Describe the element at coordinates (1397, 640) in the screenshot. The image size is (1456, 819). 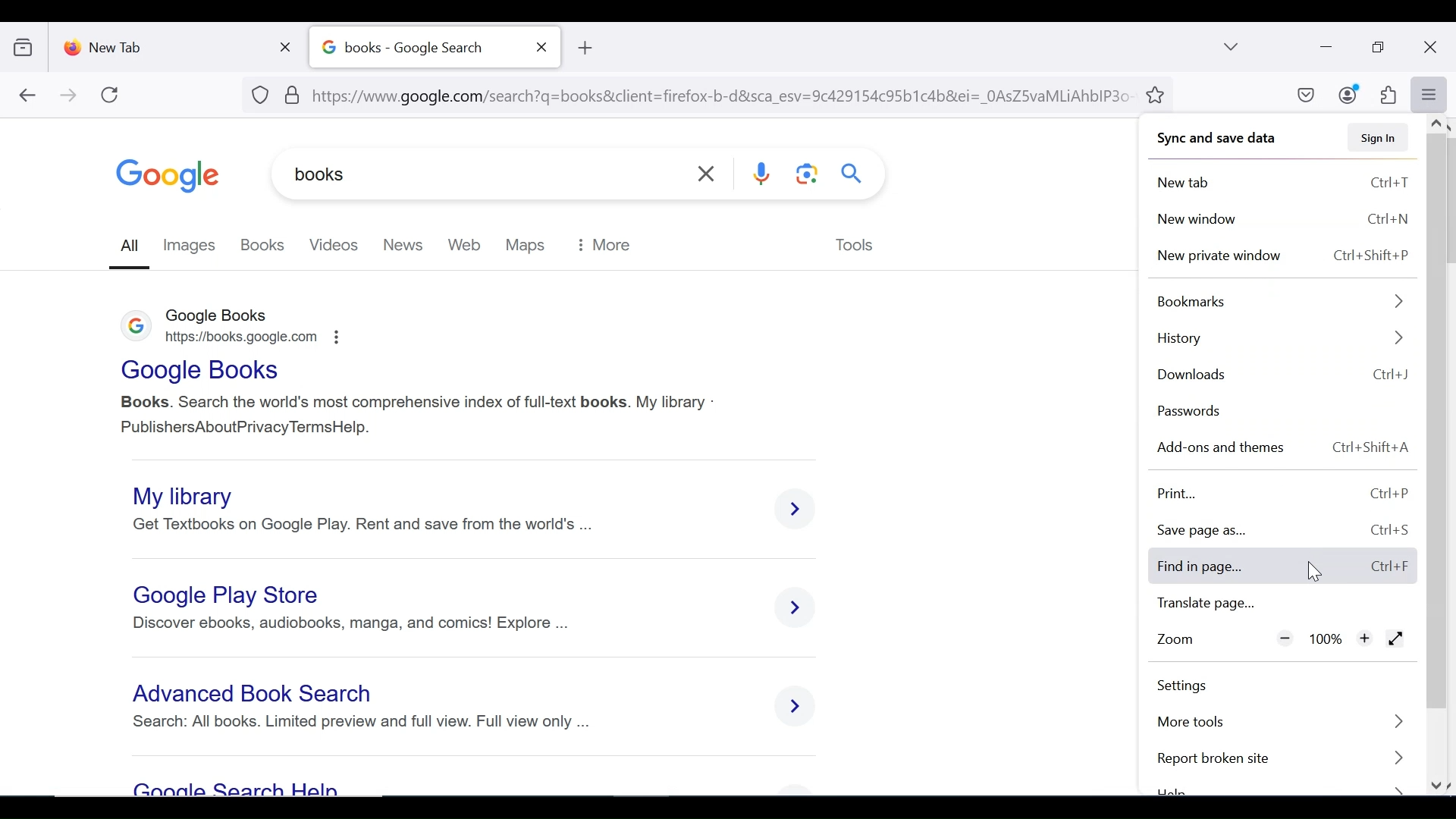
I see `fullscreen` at that location.